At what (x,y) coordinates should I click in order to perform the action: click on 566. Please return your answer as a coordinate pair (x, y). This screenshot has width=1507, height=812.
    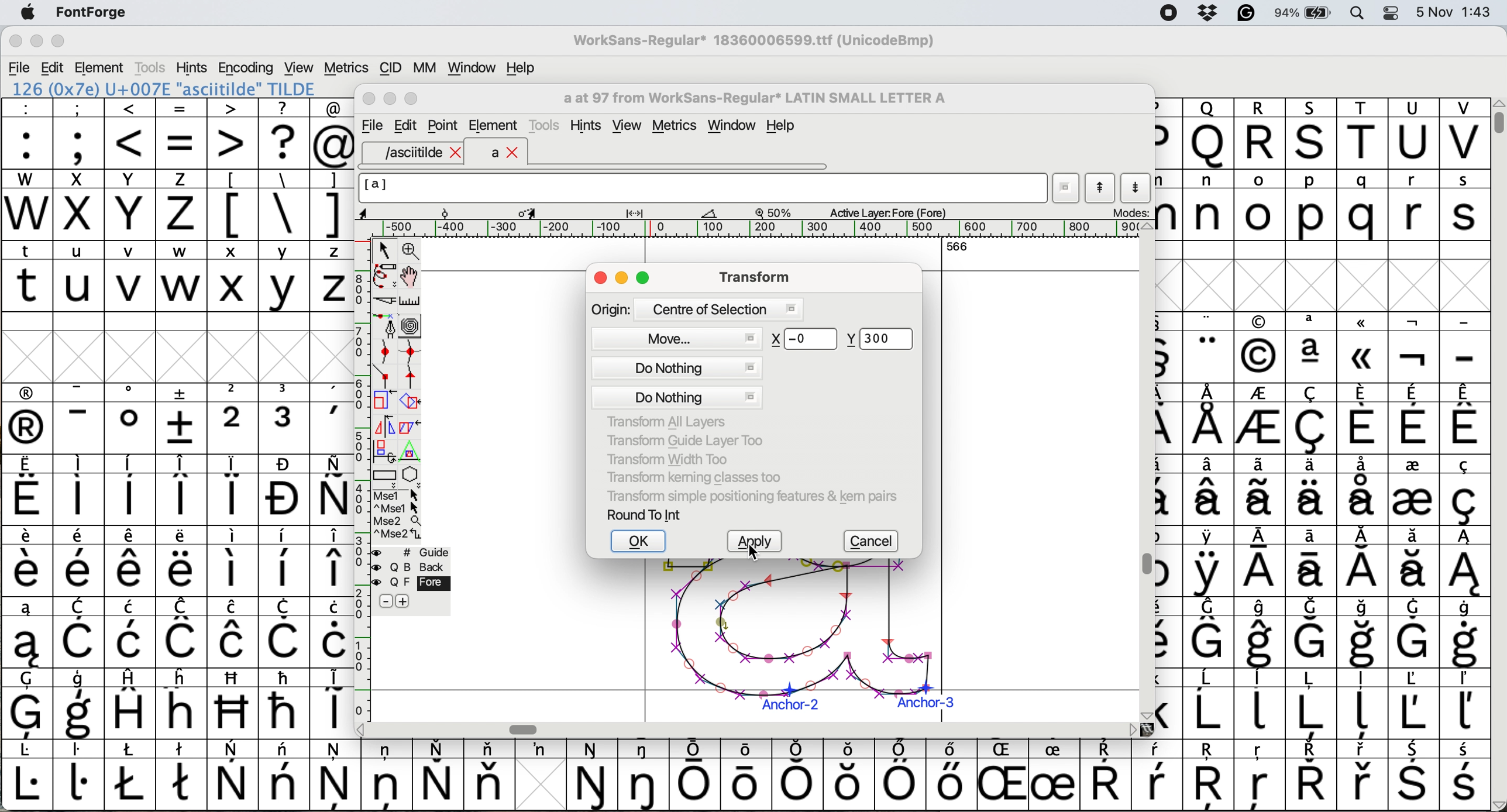
    Looking at the image, I should click on (957, 246).